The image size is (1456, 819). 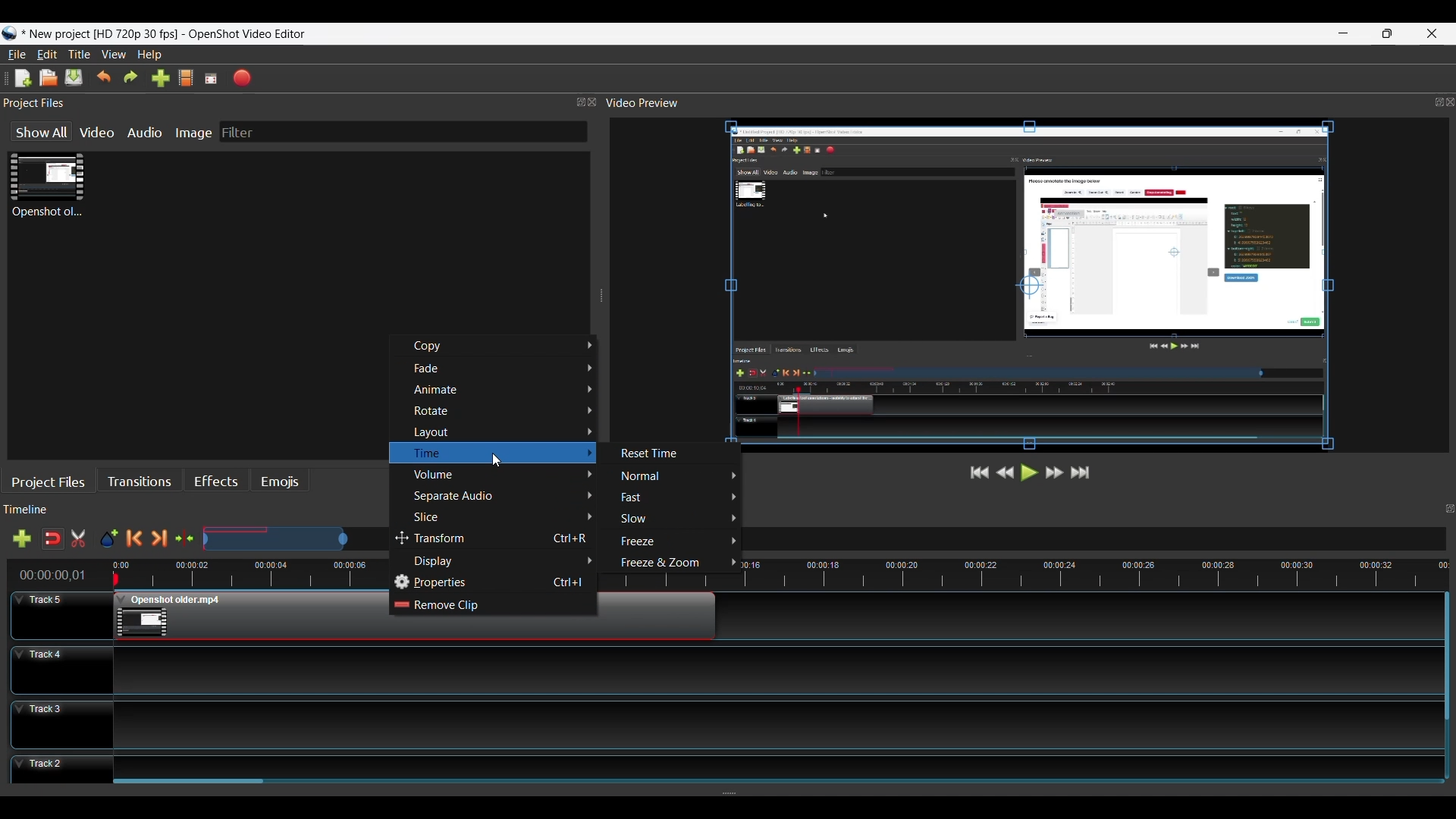 I want to click on Add Track, so click(x=22, y=538).